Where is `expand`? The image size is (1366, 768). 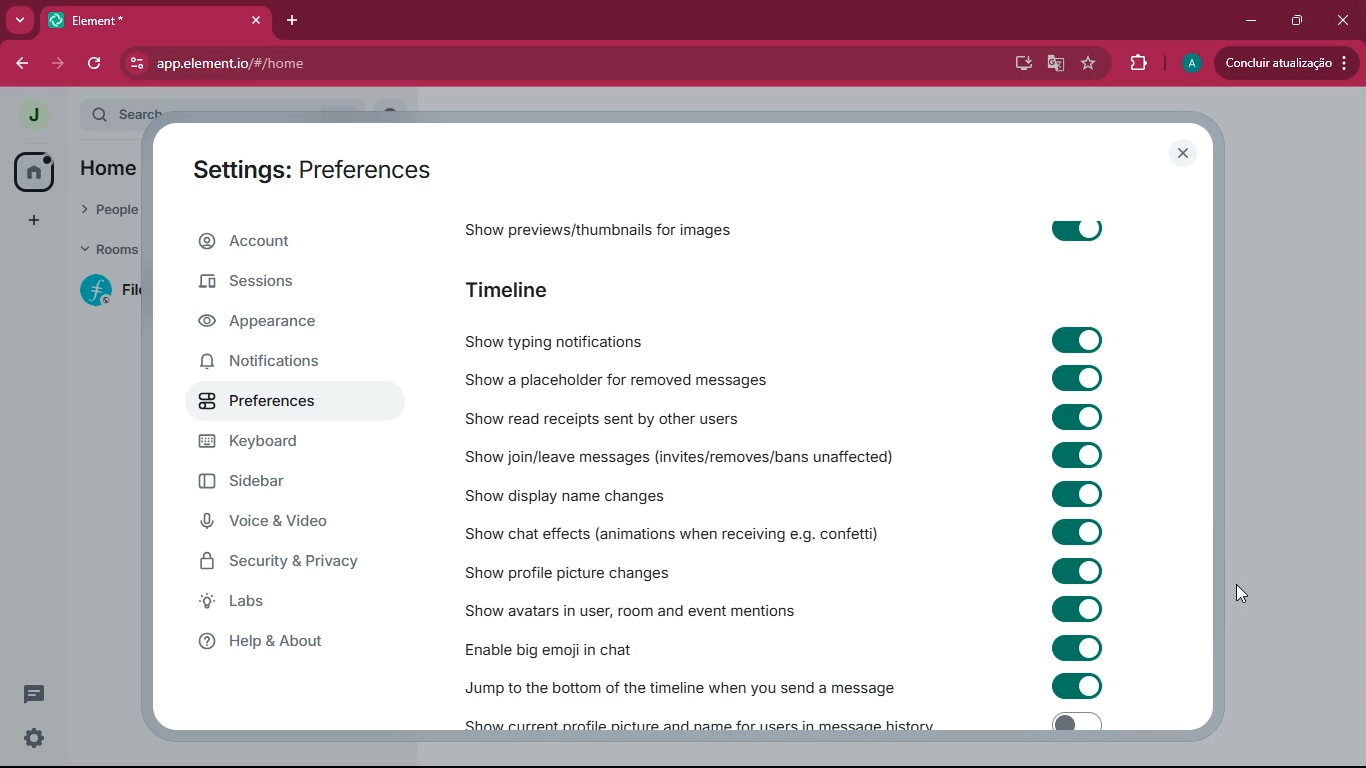 expand is located at coordinates (67, 116).